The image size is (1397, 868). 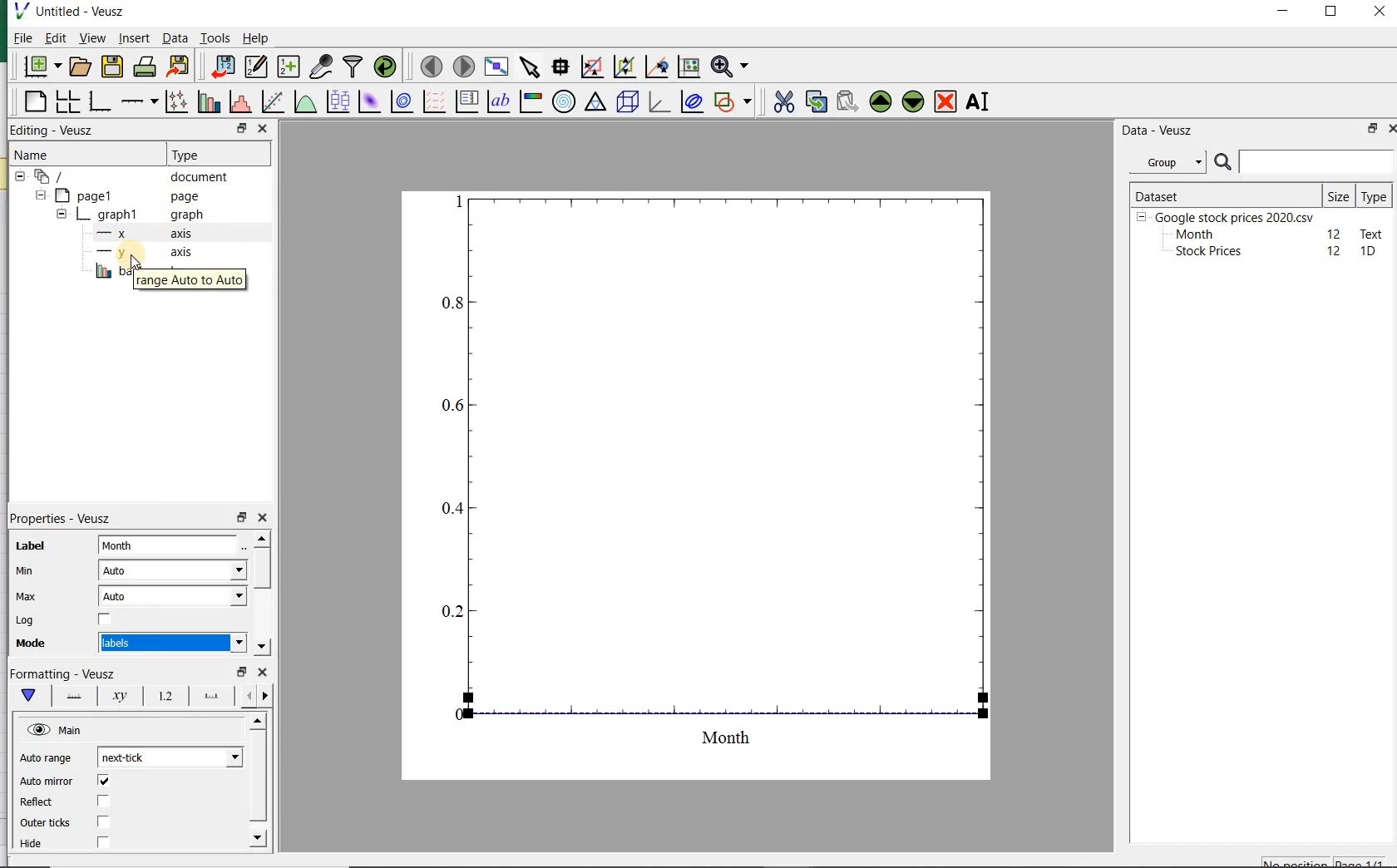 I want to click on copy the selected widget, so click(x=815, y=102).